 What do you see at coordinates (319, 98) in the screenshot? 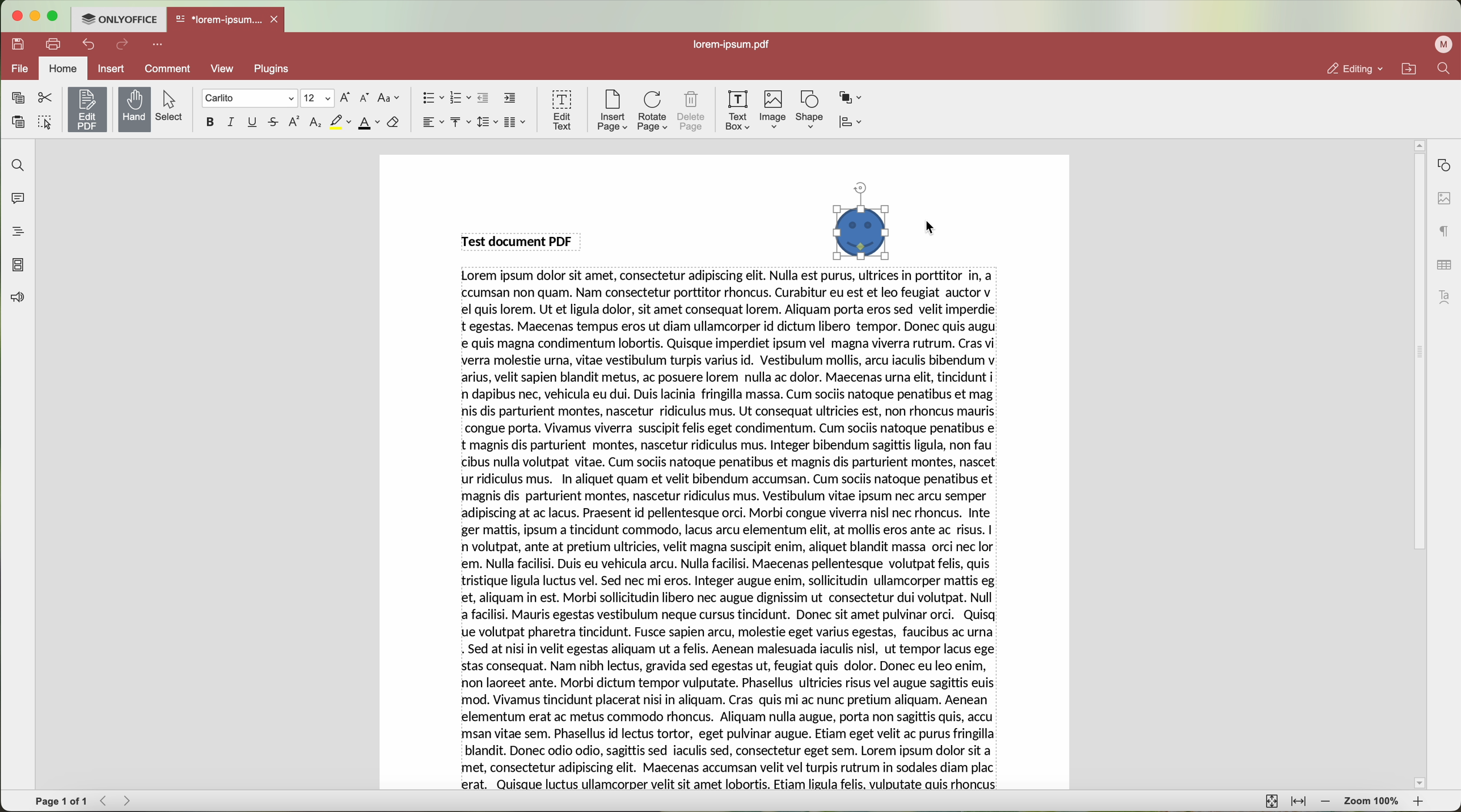
I see `size font` at bounding box center [319, 98].